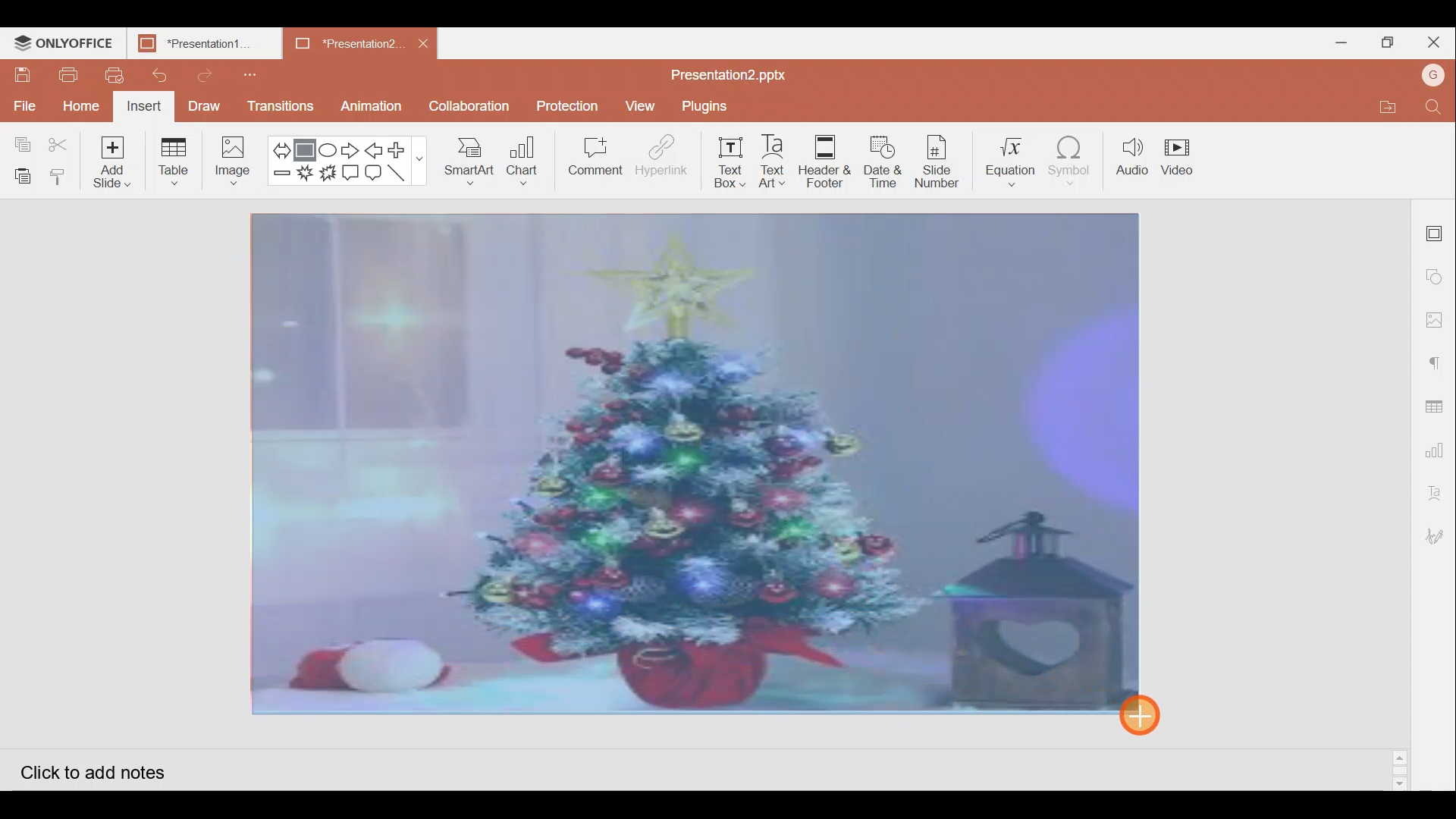 Image resolution: width=1456 pixels, height=819 pixels. Describe the element at coordinates (773, 162) in the screenshot. I see `Text Art` at that location.